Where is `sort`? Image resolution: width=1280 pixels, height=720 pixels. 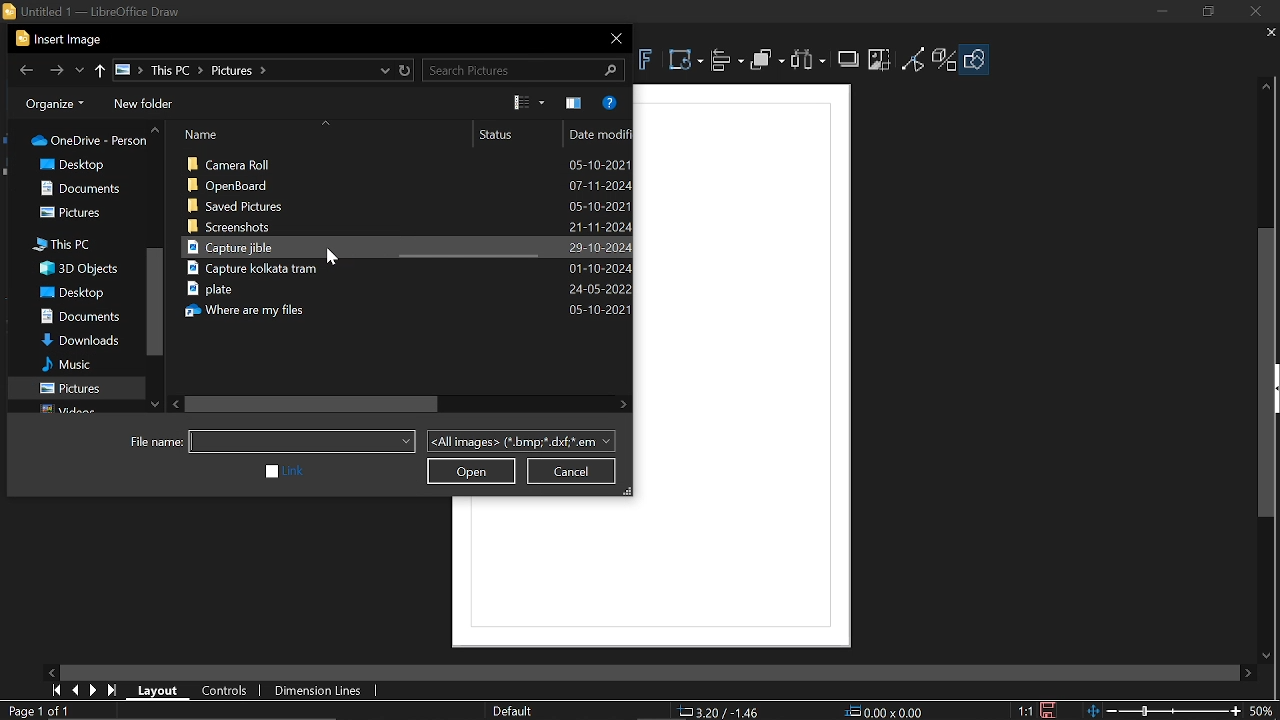 sort is located at coordinates (324, 122).